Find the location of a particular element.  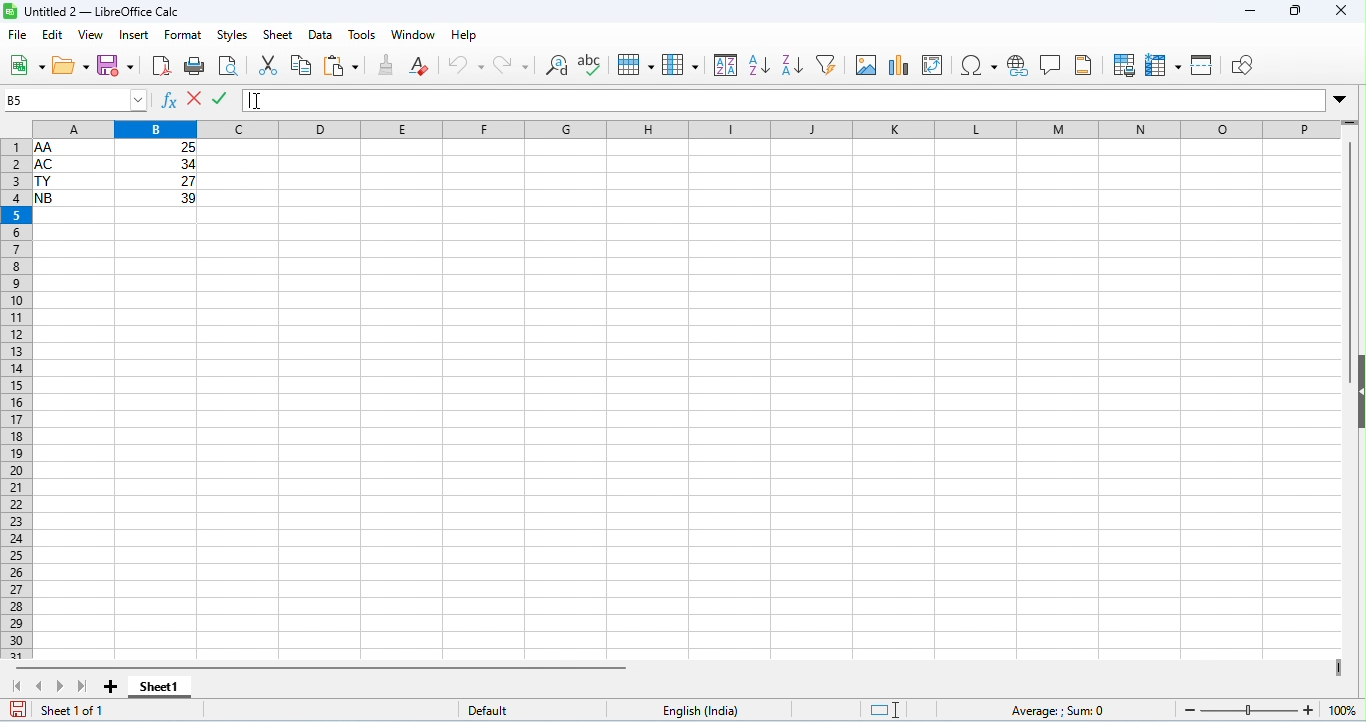

define print area is located at coordinates (1125, 66).